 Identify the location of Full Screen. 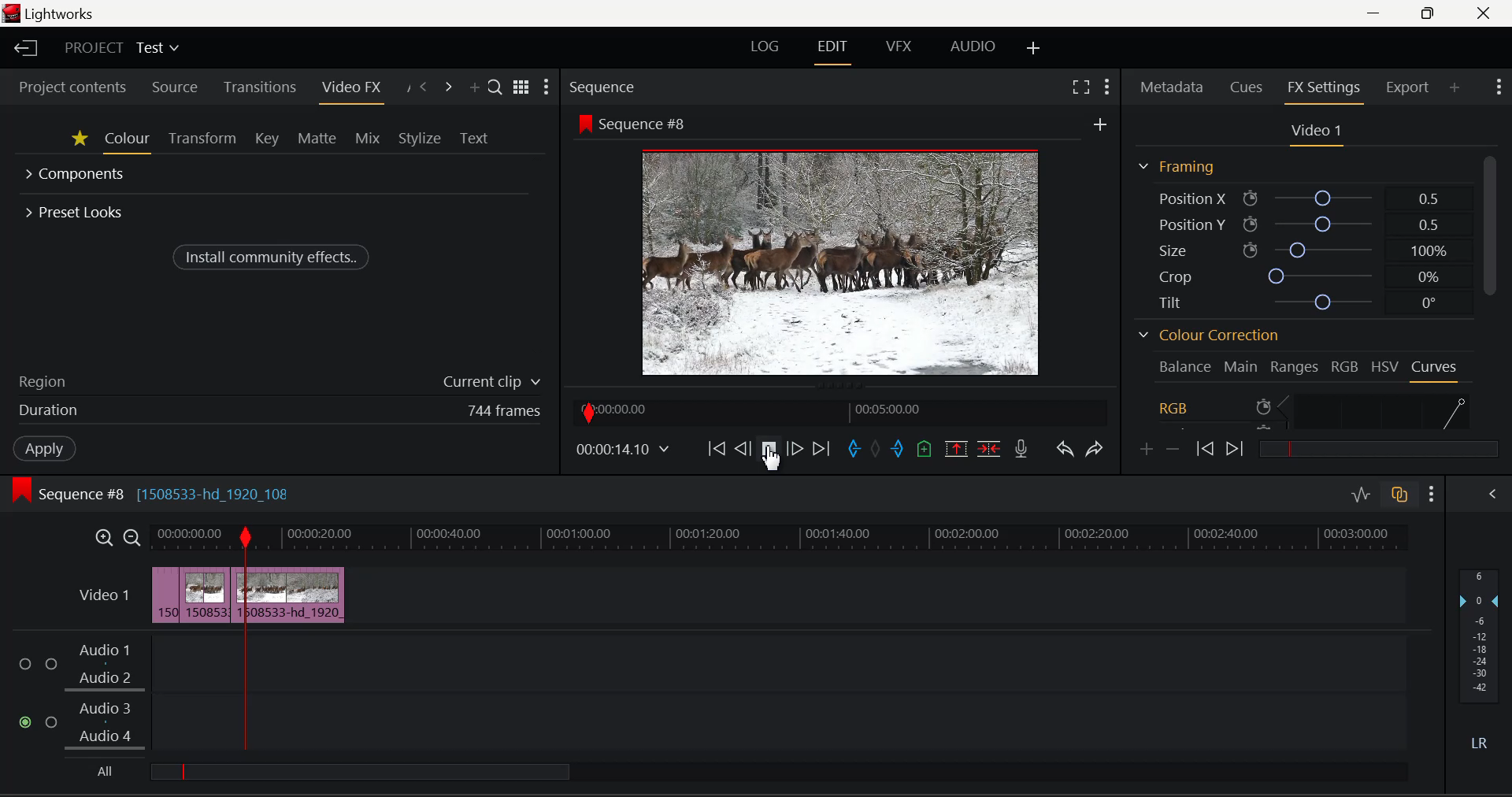
(1080, 89).